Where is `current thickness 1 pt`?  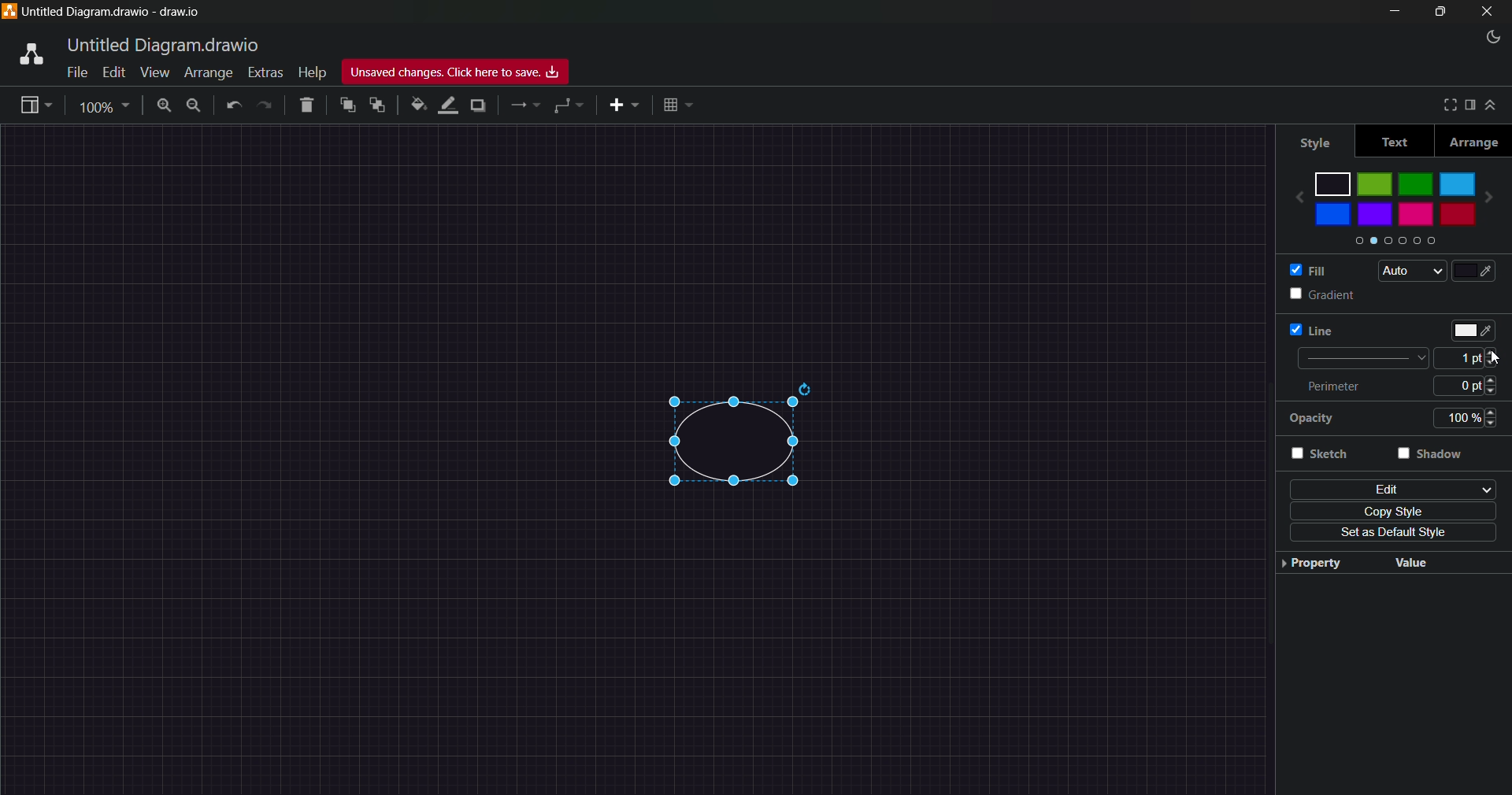 current thickness 1 pt is located at coordinates (1462, 358).